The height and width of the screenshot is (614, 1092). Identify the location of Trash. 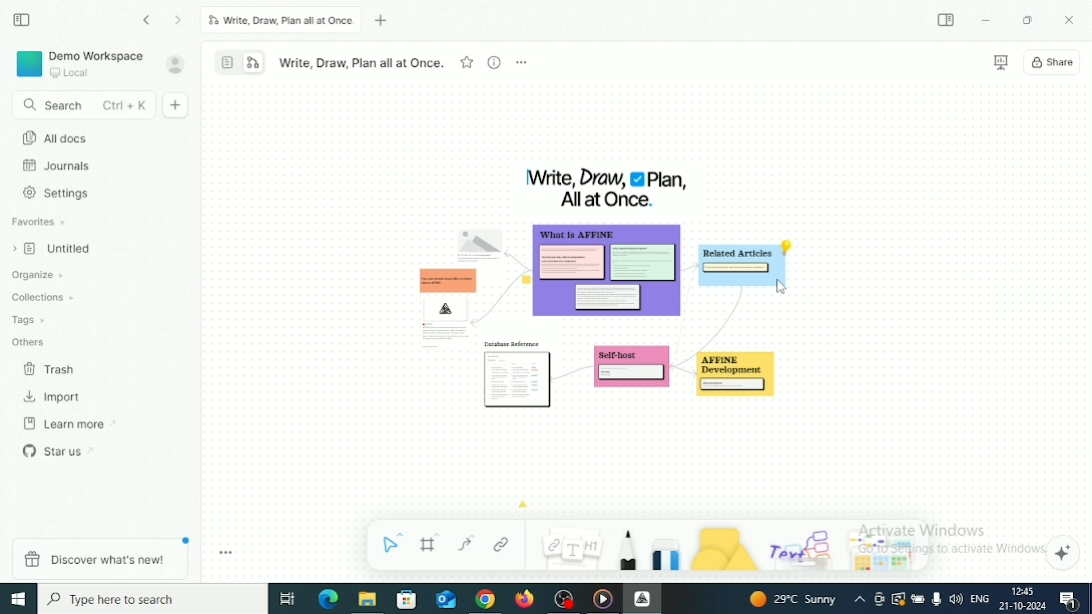
(51, 370).